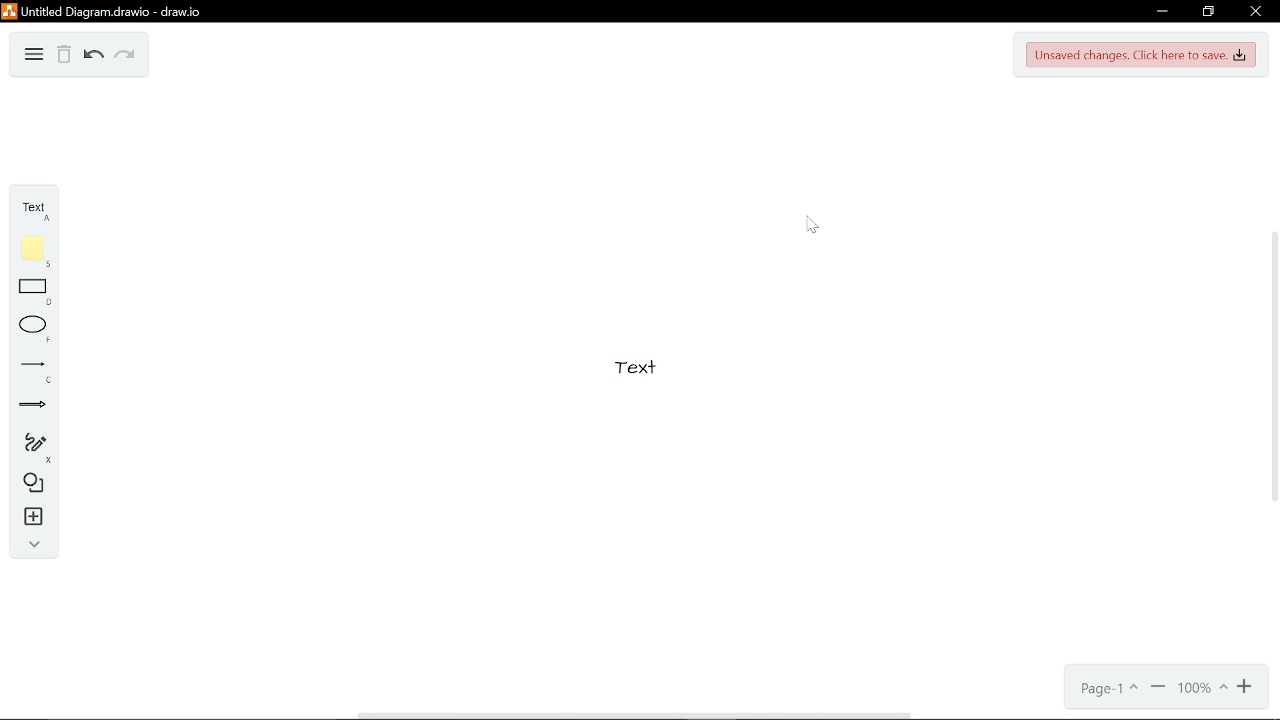  Describe the element at coordinates (1109, 689) in the screenshot. I see `current page` at that location.